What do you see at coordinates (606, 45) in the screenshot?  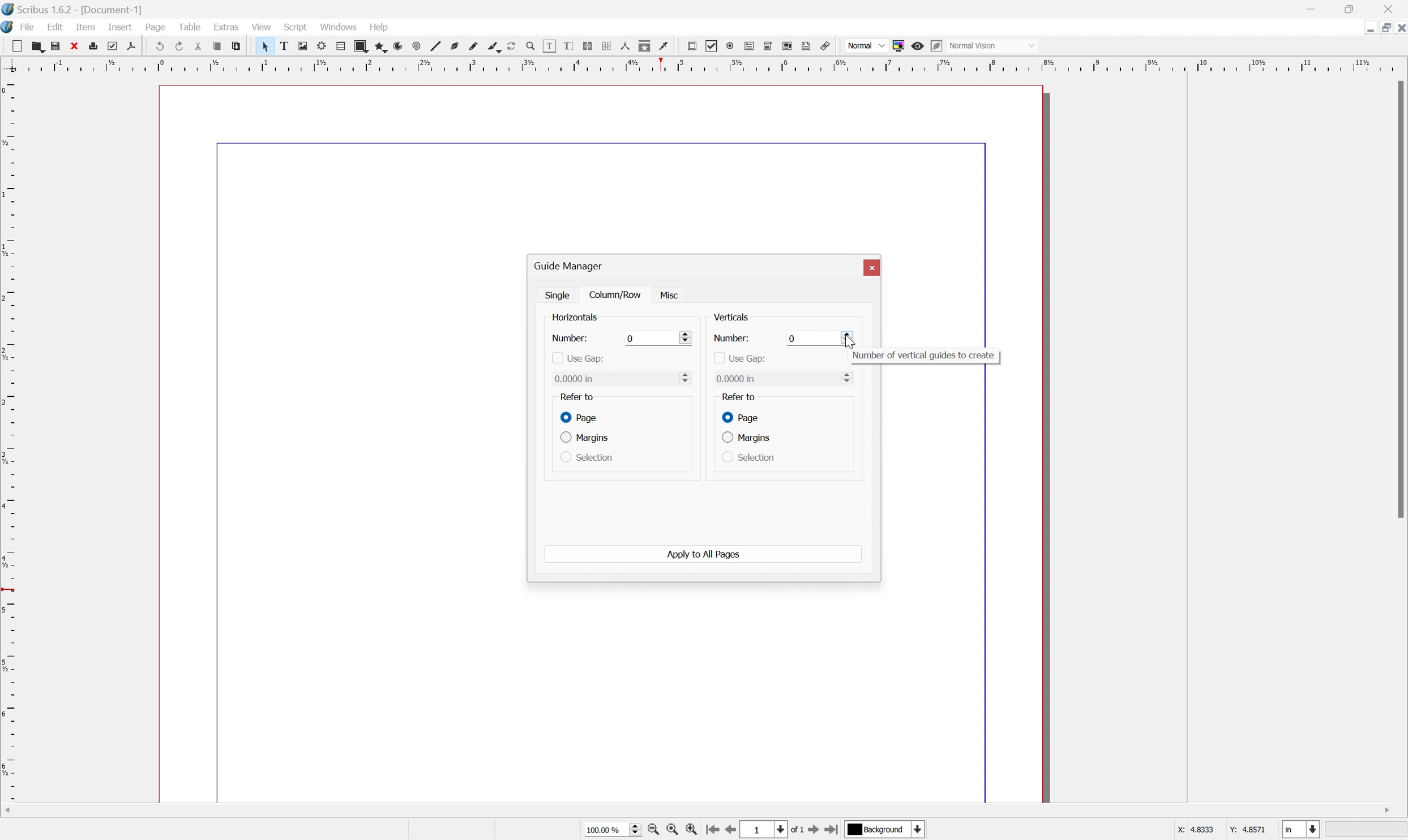 I see `unlink text frames` at bounding box center [606, 45].